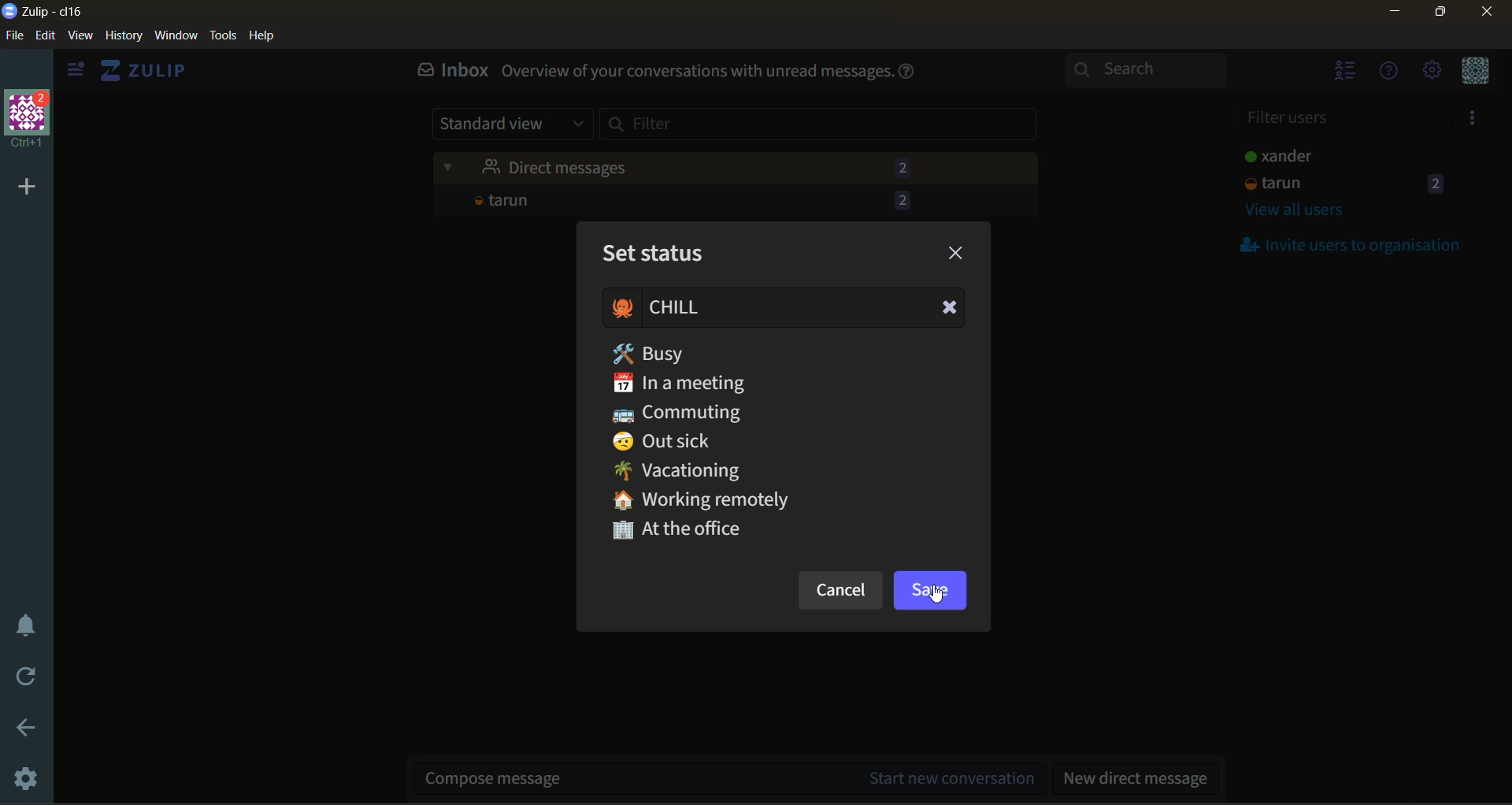  I want to click on enable do not disturb, so click(24, 632).